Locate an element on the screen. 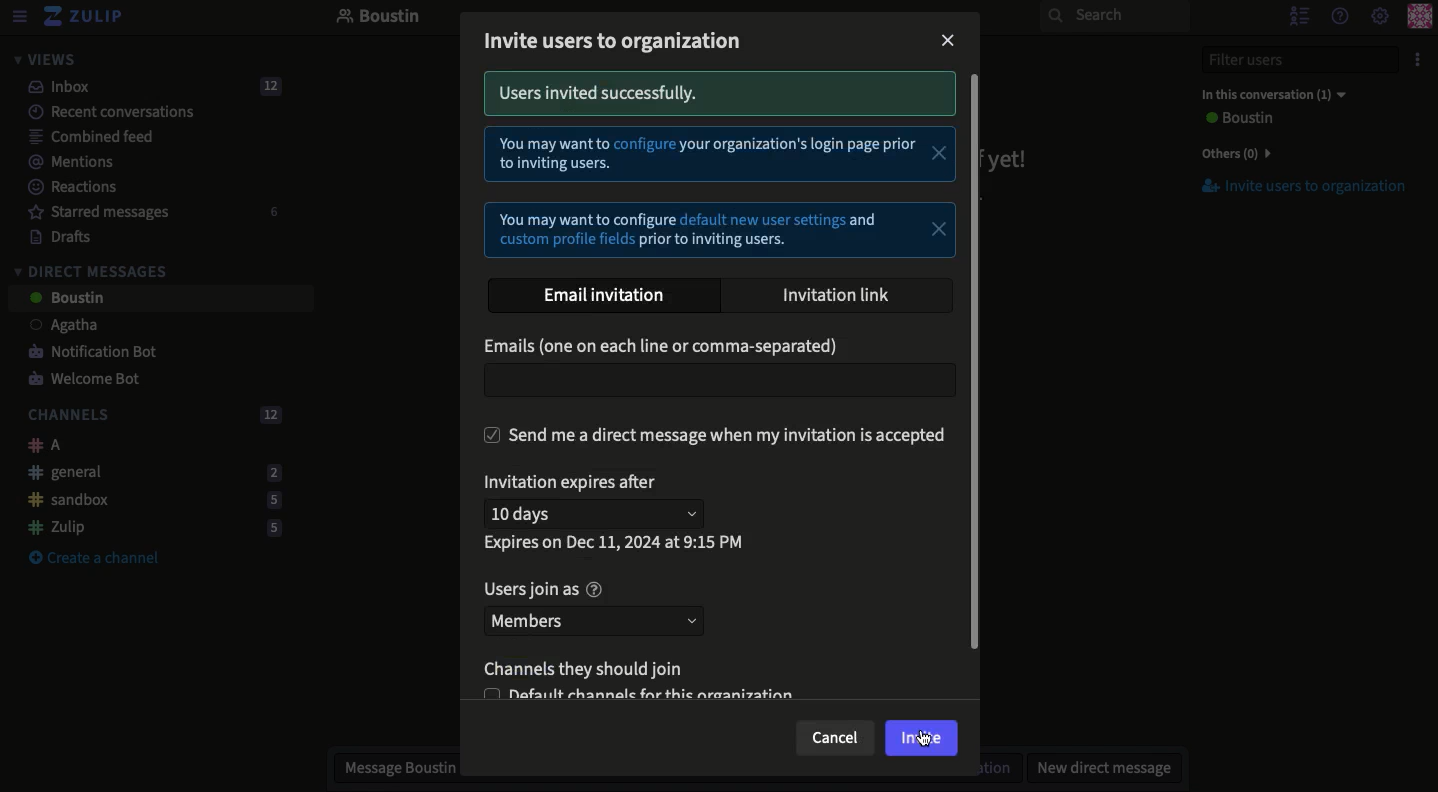 The width and height of the screenshot is (1438, 792). Invite users to organization is located at coordinates (1293, 187).